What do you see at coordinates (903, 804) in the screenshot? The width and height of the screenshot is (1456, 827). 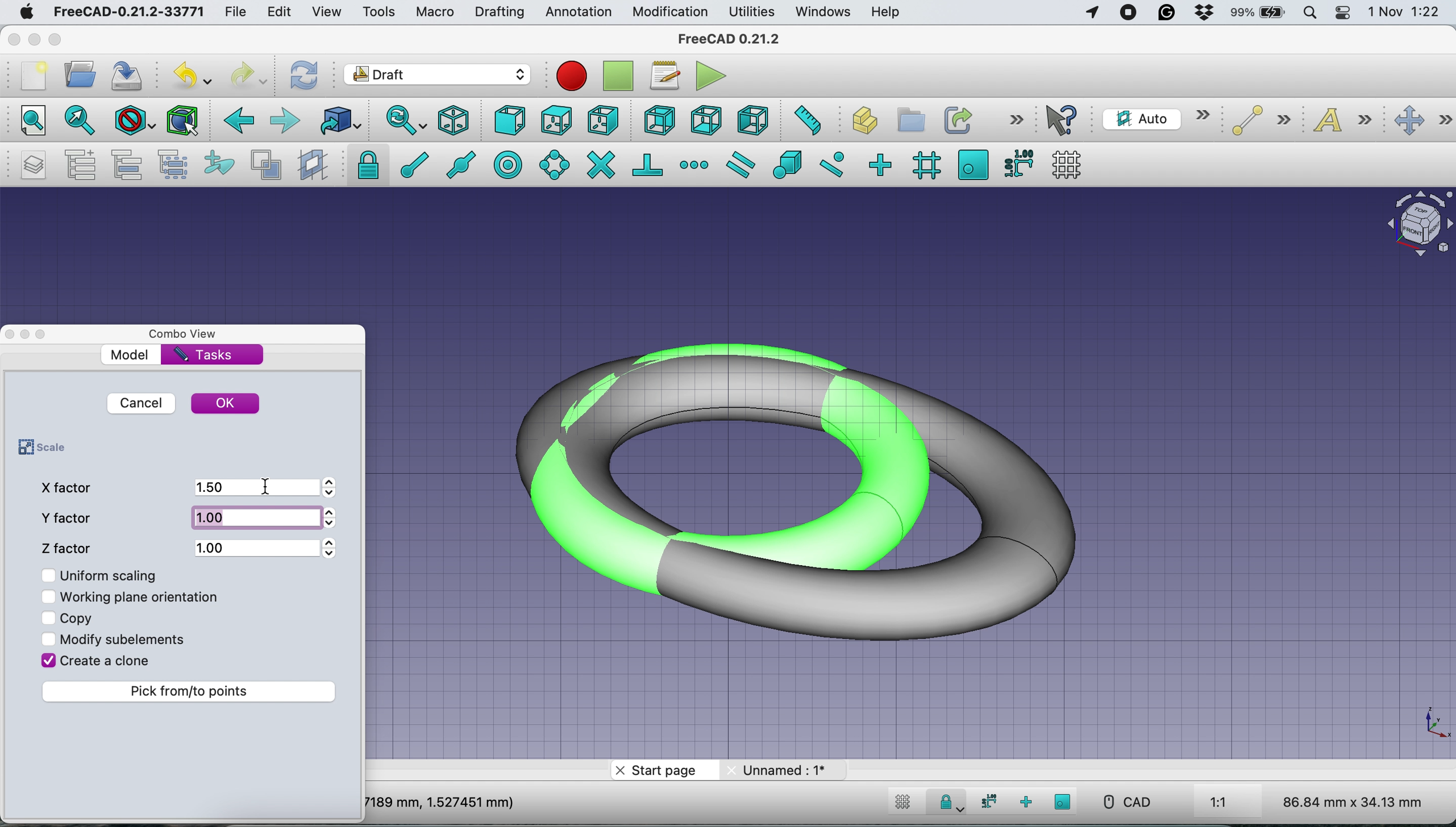 I see `toggle grid` at bounding box center [903, 804].